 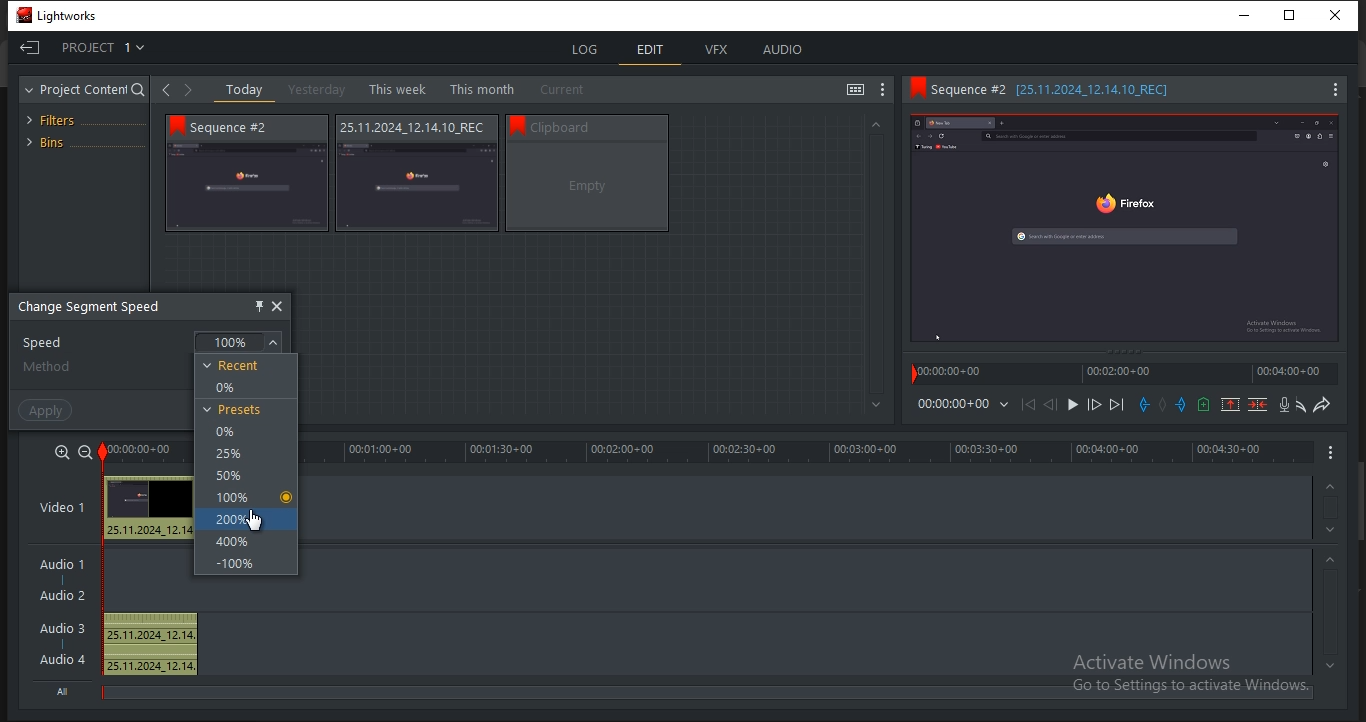 I want to click on Dropdown arrow, so click(x=279, y=342).